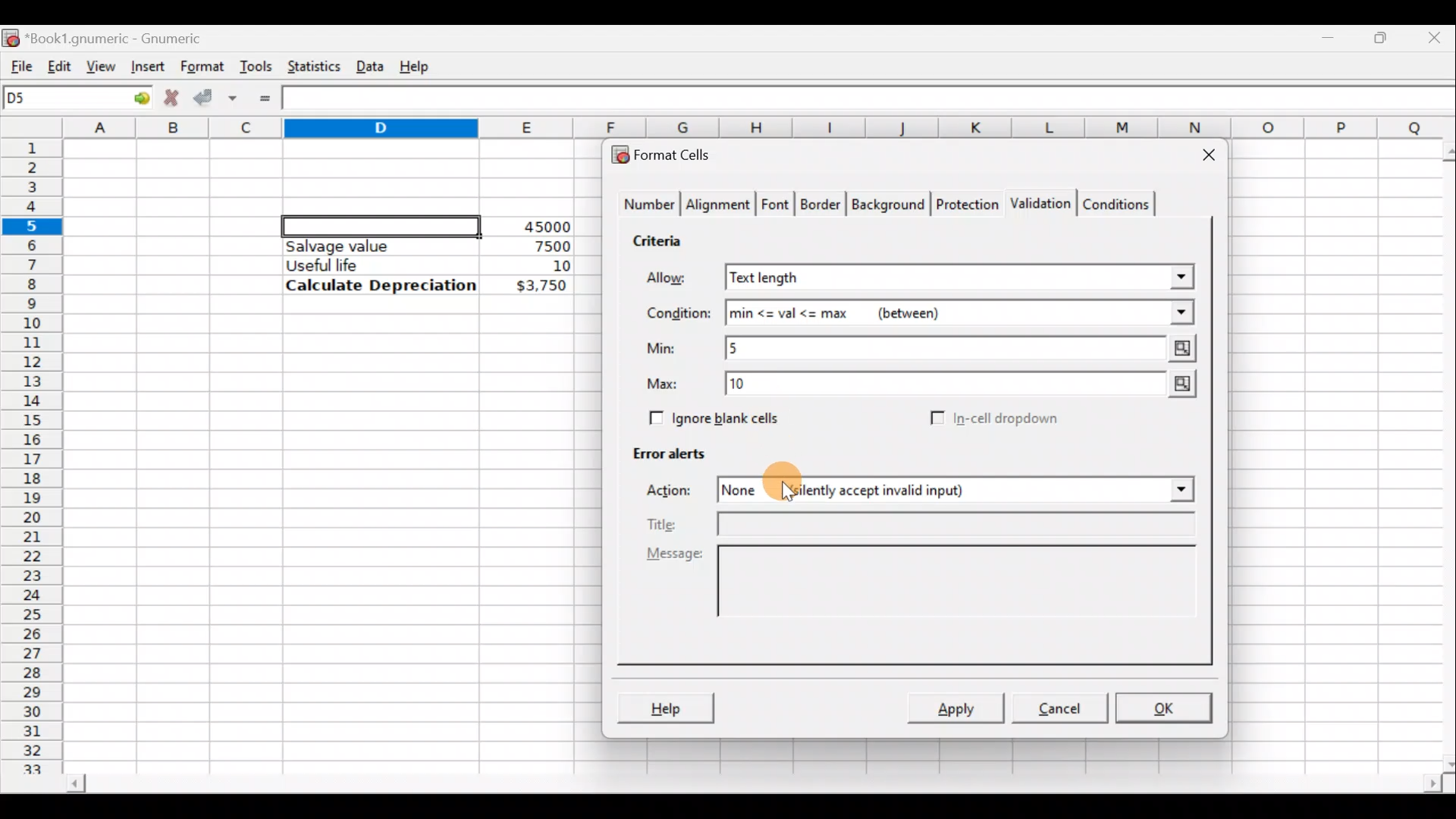 The height and width of the screenshot is (819, 1456). I want to click on Min value = 5, so click(963, 348).